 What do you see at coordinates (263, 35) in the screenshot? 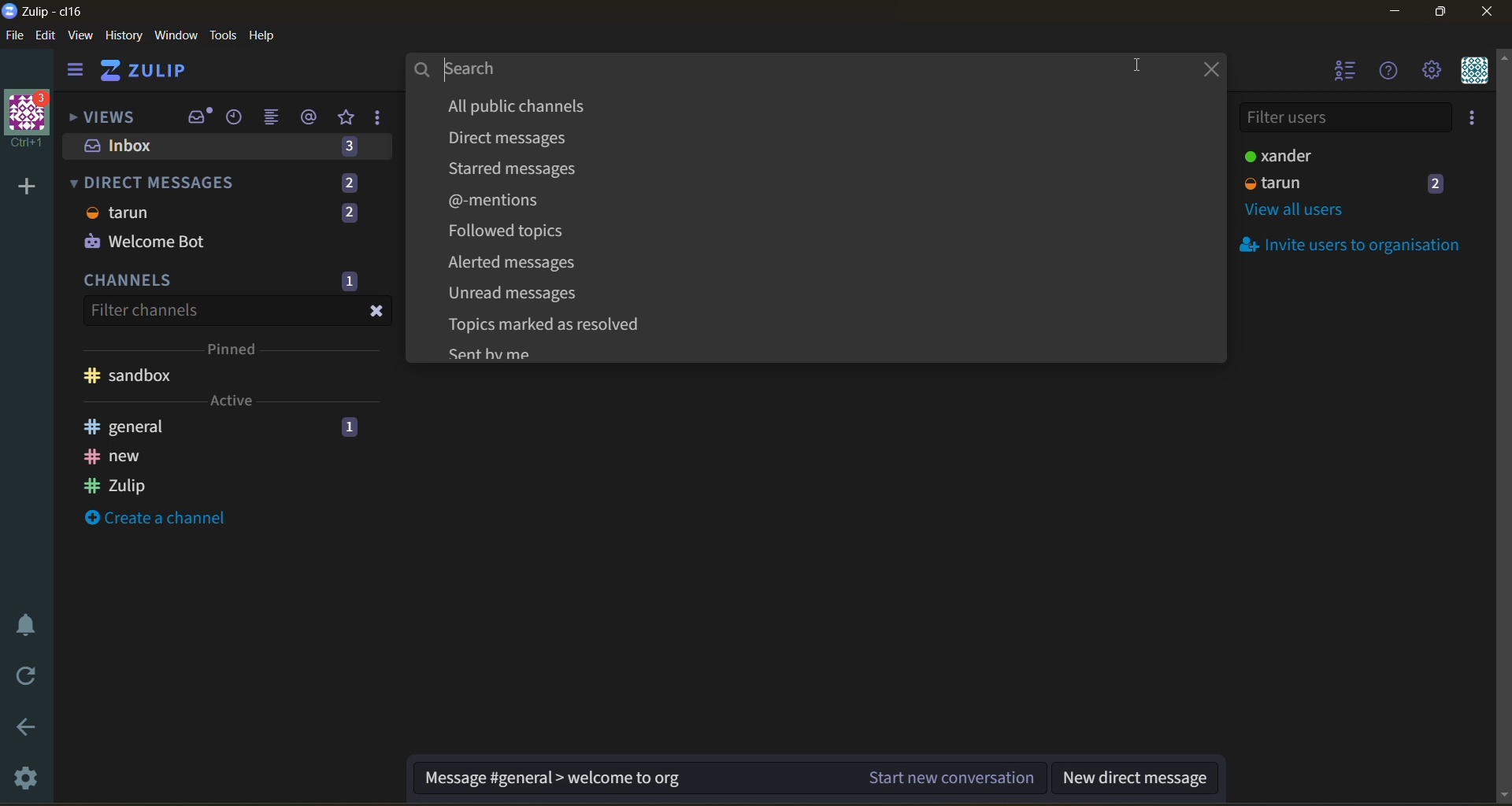
I see `help` at bounding box center [263, 35].